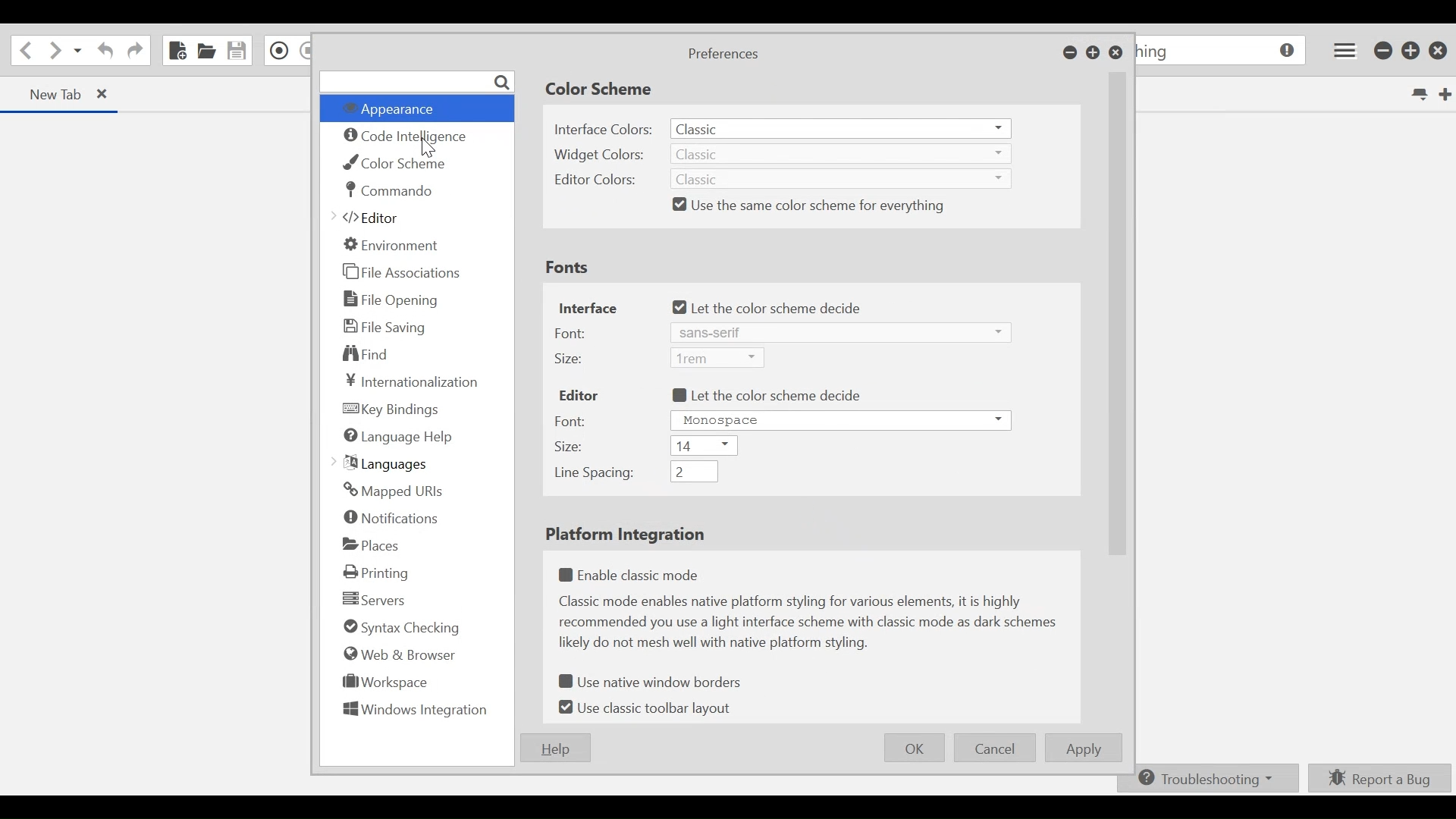  What do you see at coordinates (408, 138) in the screenshot?
I see `Code Intelligence` at bounding box center [408, 138].